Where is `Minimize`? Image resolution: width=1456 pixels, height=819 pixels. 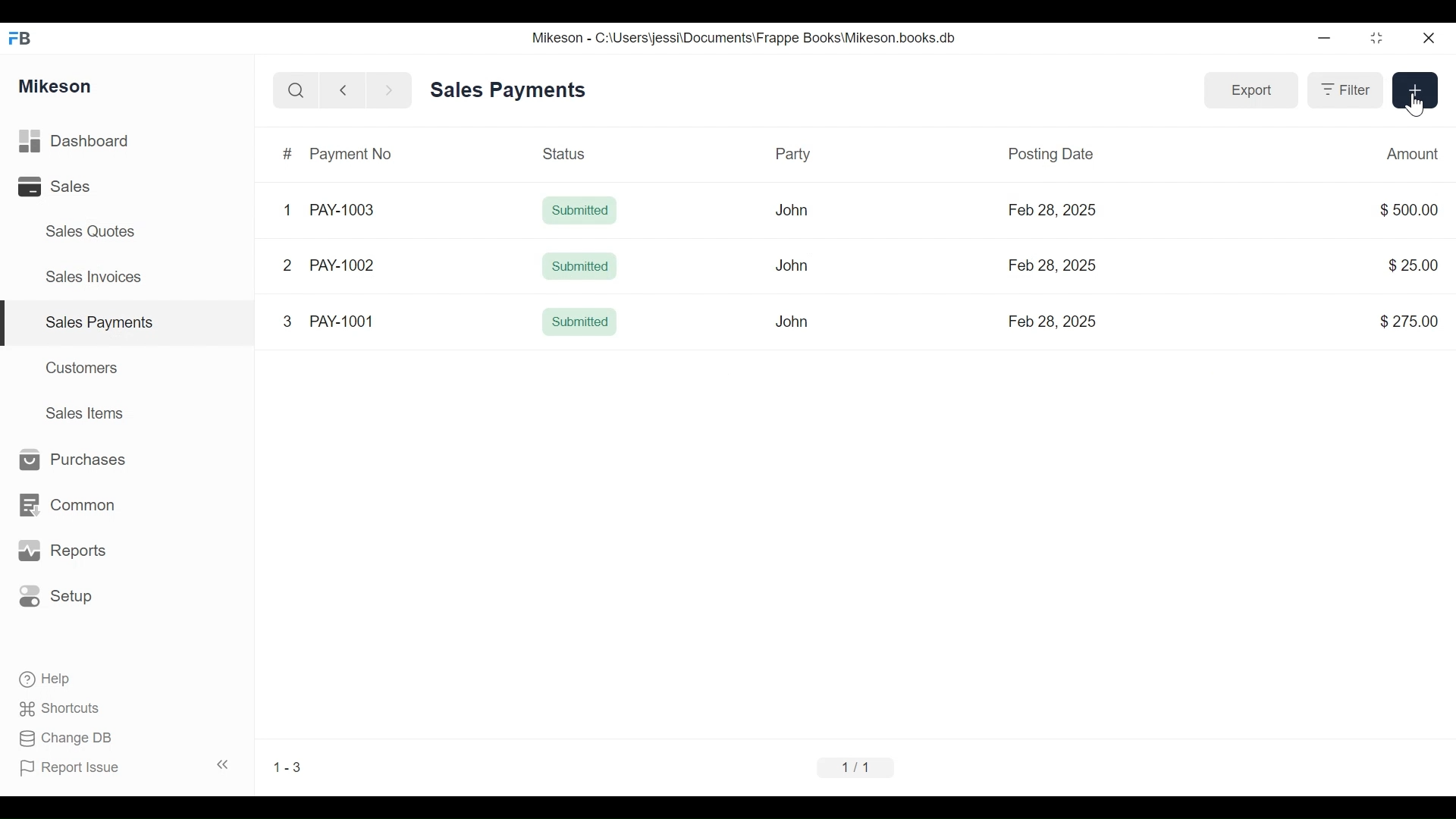 Minimize is located at coordinates (1324, 40).